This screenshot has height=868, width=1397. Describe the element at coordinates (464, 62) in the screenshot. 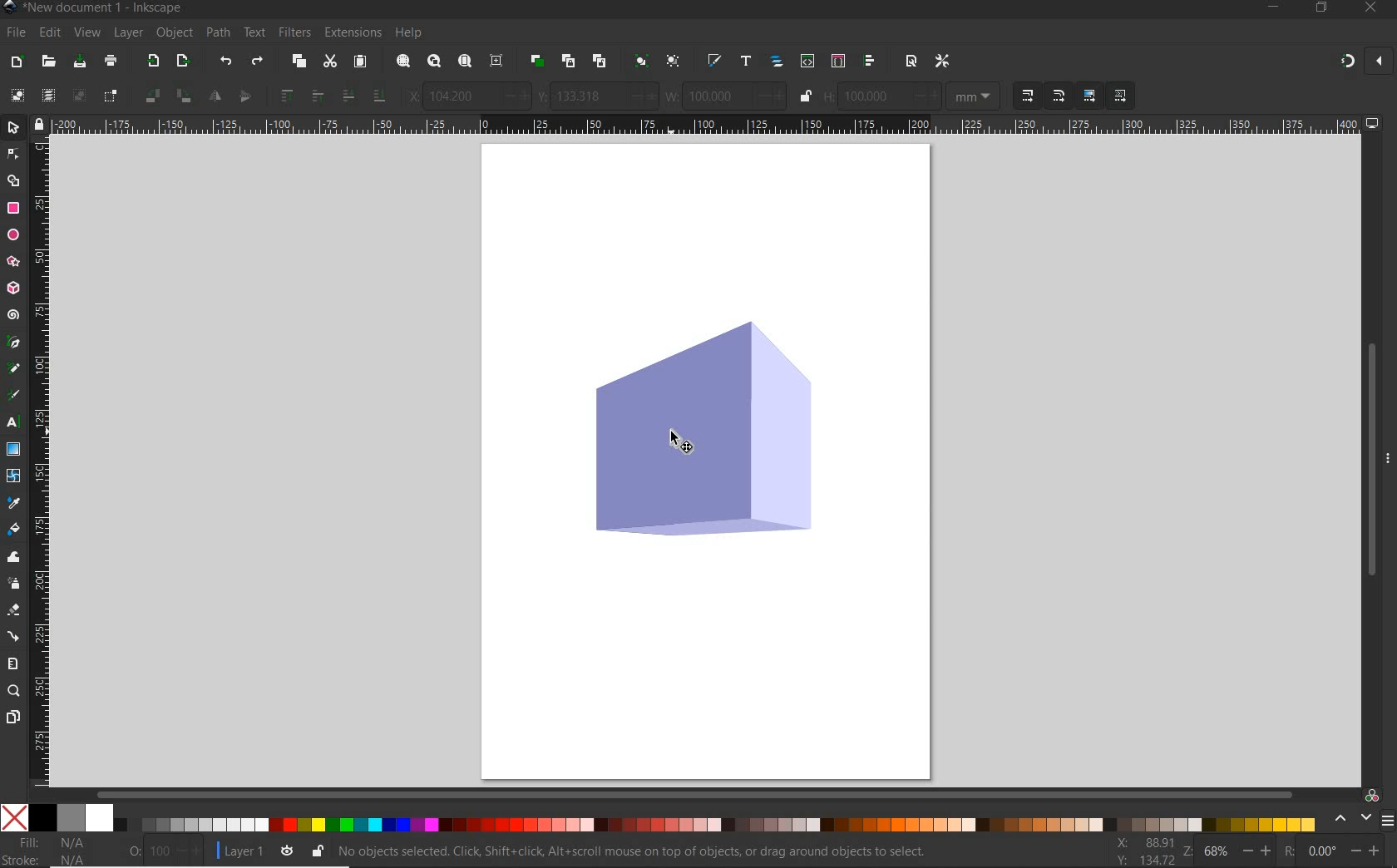

I see `ZOOM PAGE` at that location.